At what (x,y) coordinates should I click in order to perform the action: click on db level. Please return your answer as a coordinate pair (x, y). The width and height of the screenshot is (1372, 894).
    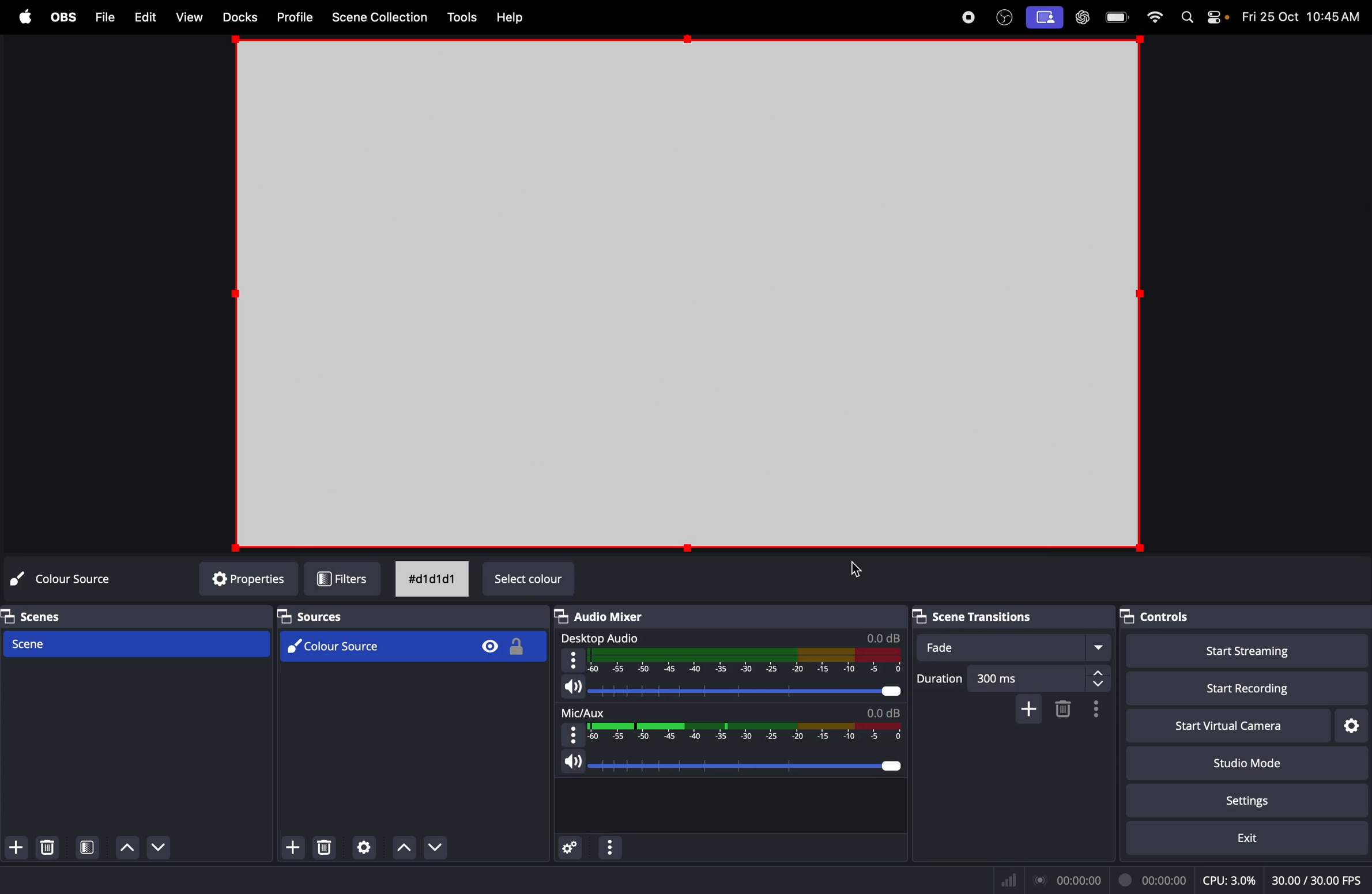
    Looking at the image, I should click on (881, 712).